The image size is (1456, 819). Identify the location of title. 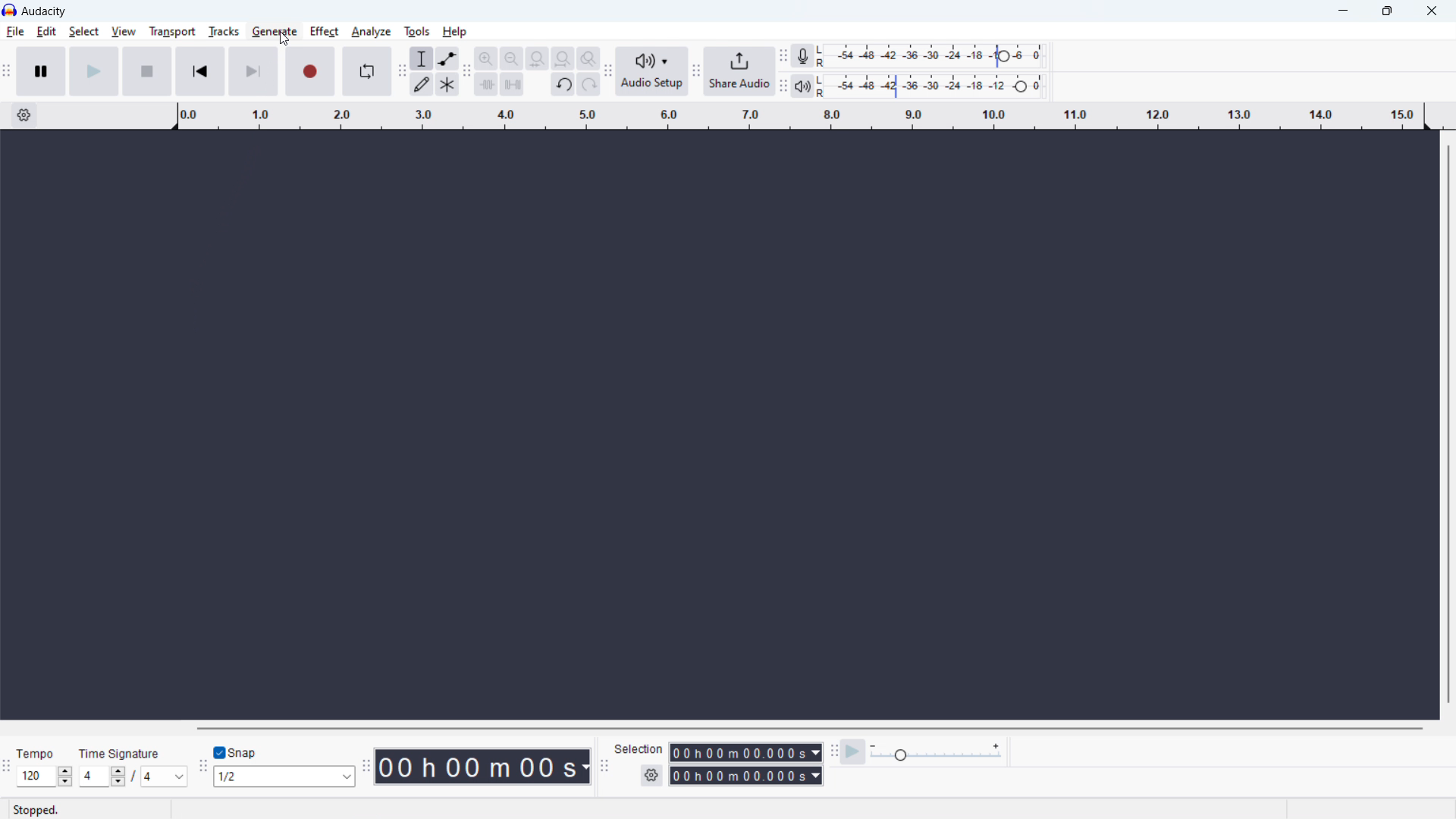
(62, 12).